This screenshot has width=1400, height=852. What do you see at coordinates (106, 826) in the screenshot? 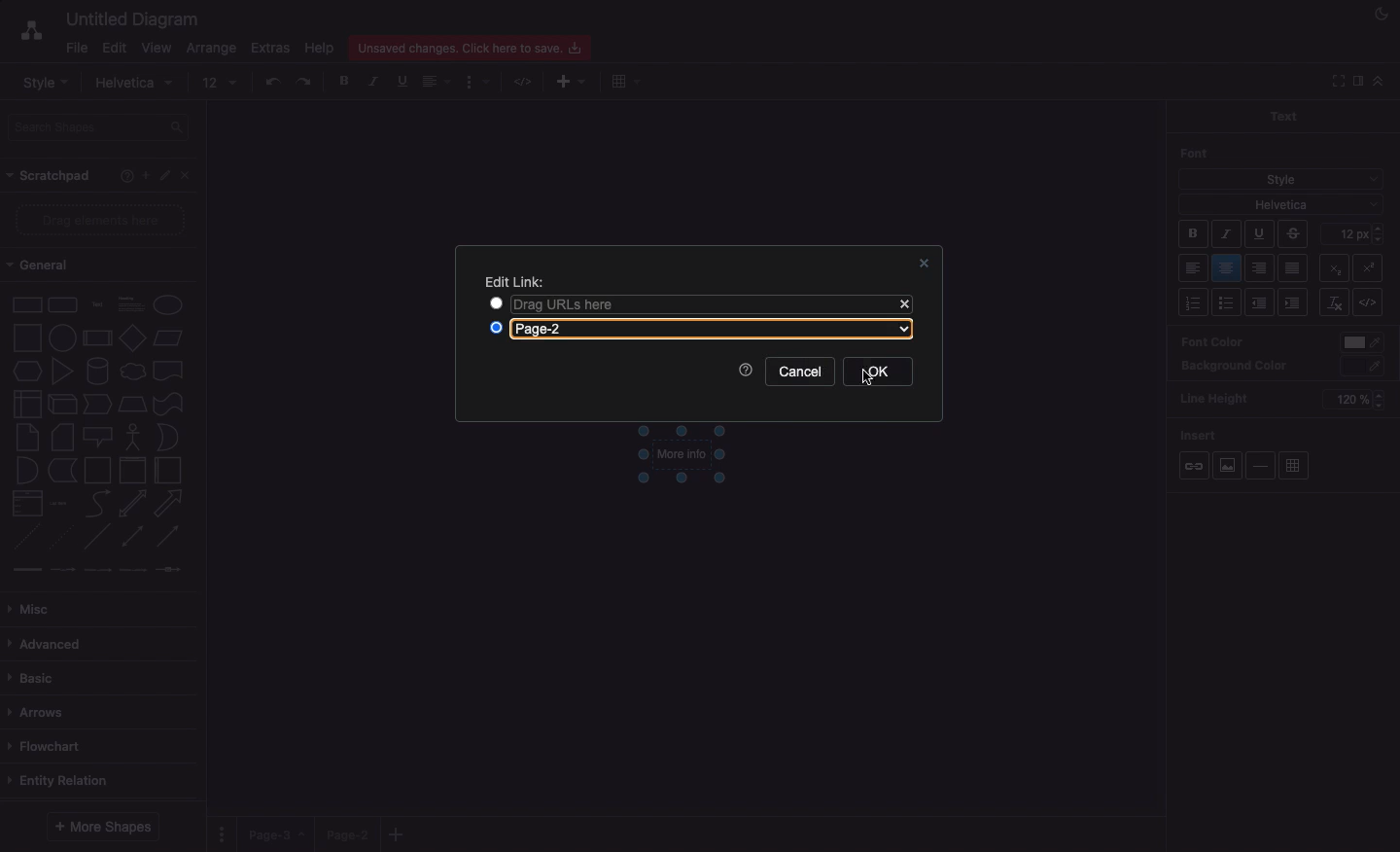
I see `More shapes` at bounding box center [106, 826].